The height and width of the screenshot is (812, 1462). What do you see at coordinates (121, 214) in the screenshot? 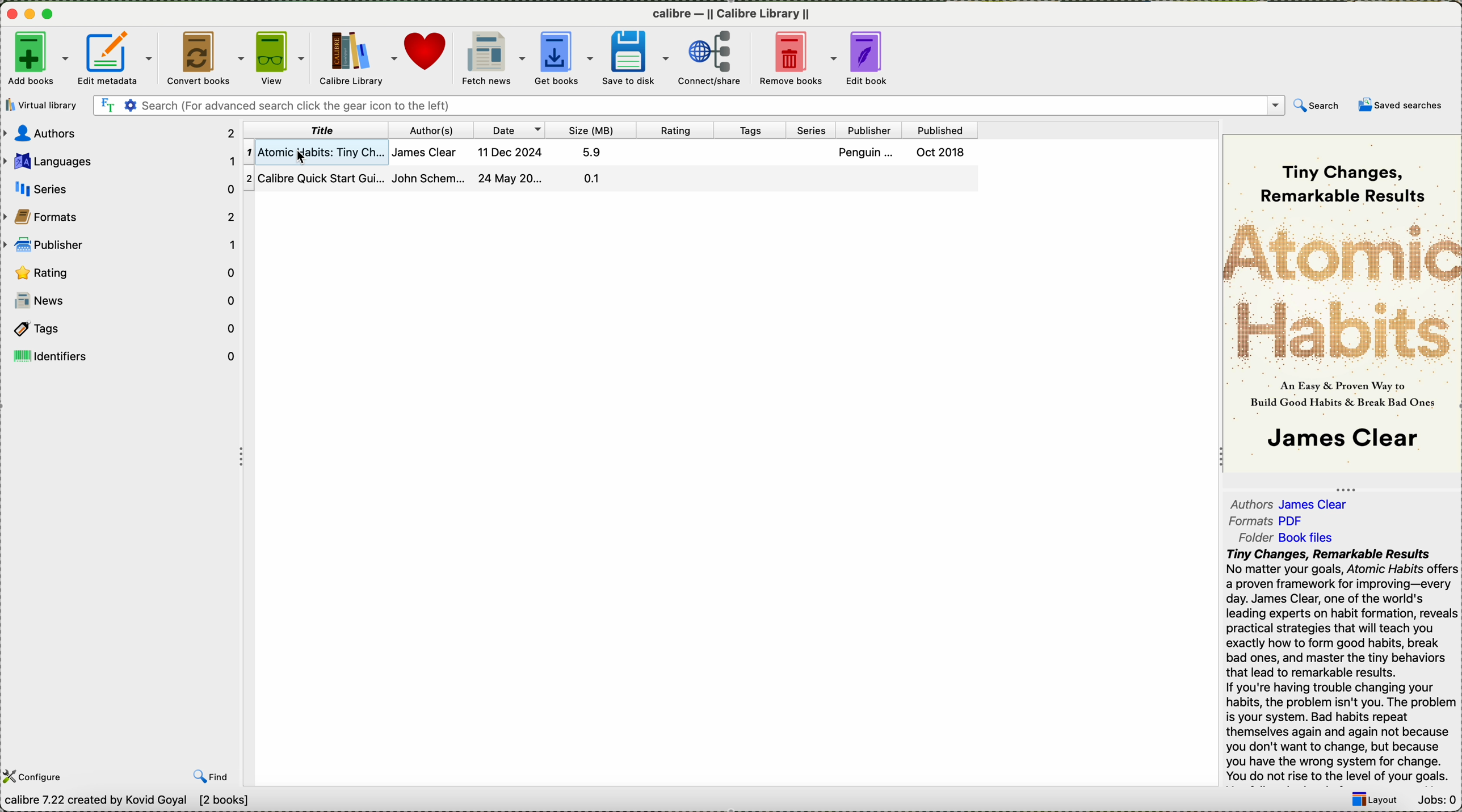
I see `formats` at bounding box center [121, 214].